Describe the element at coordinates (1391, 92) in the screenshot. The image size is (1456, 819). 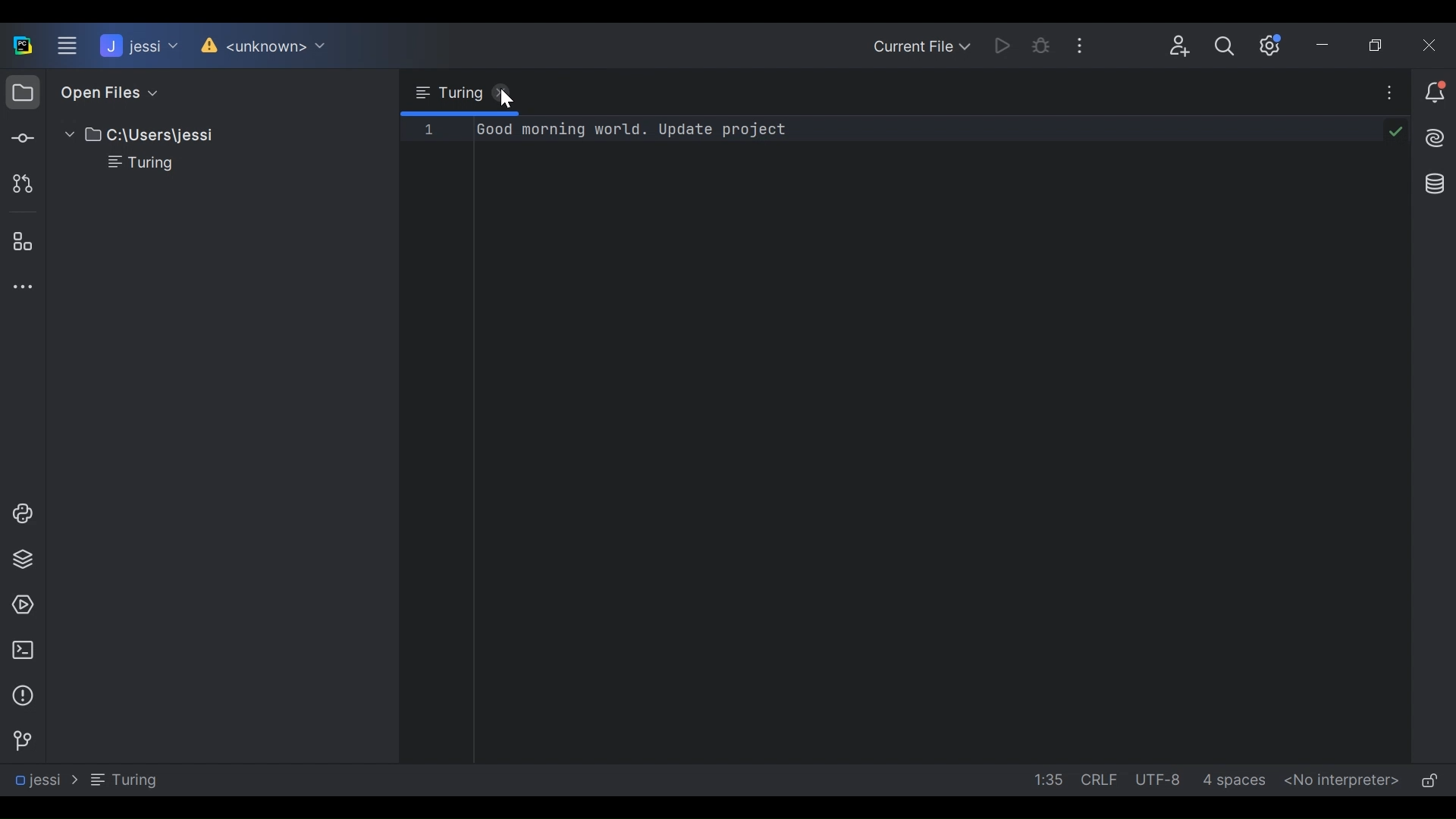
I see `More Options` at that location.